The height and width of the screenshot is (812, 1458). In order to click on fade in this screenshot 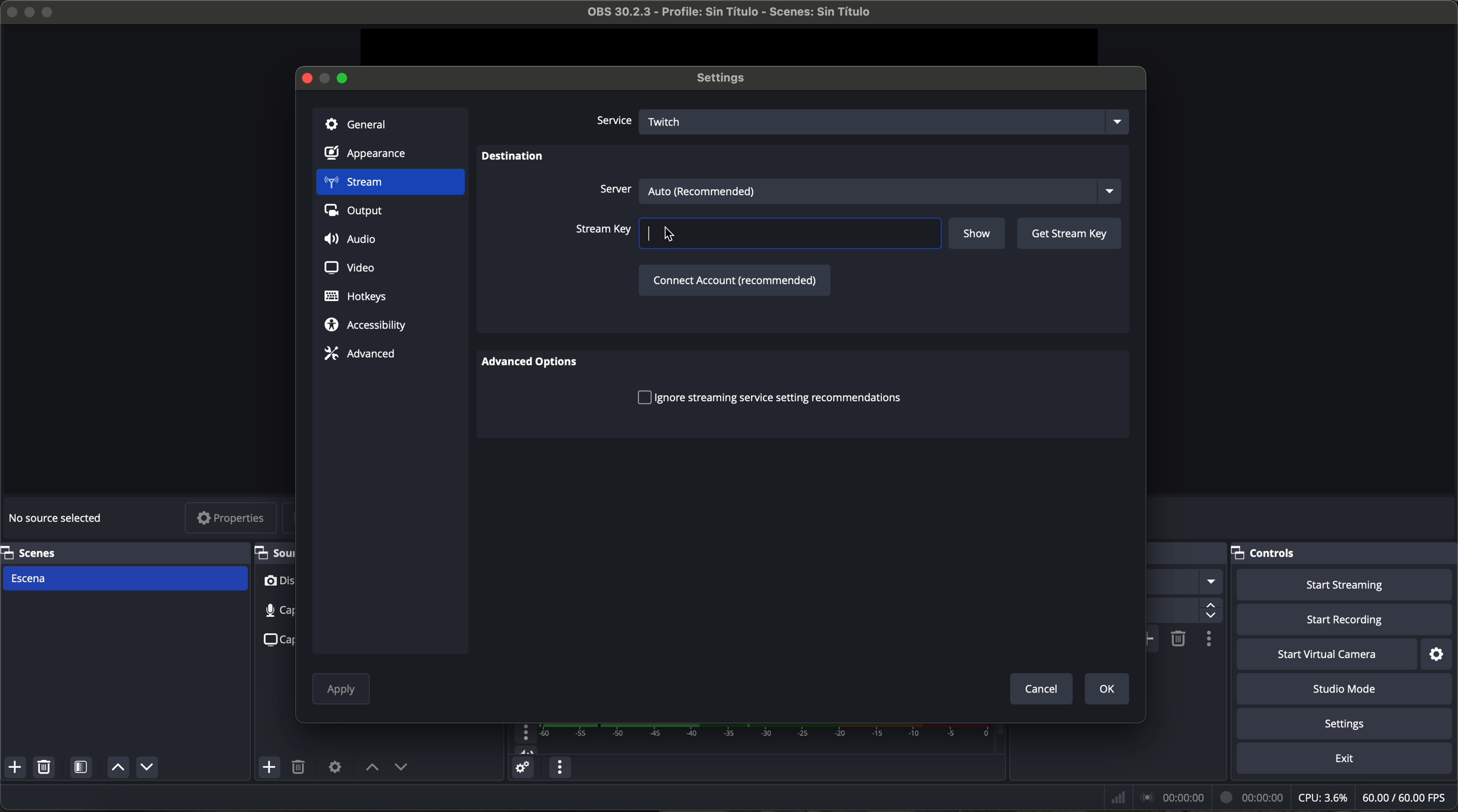, I will do `click(1185, 582)`.